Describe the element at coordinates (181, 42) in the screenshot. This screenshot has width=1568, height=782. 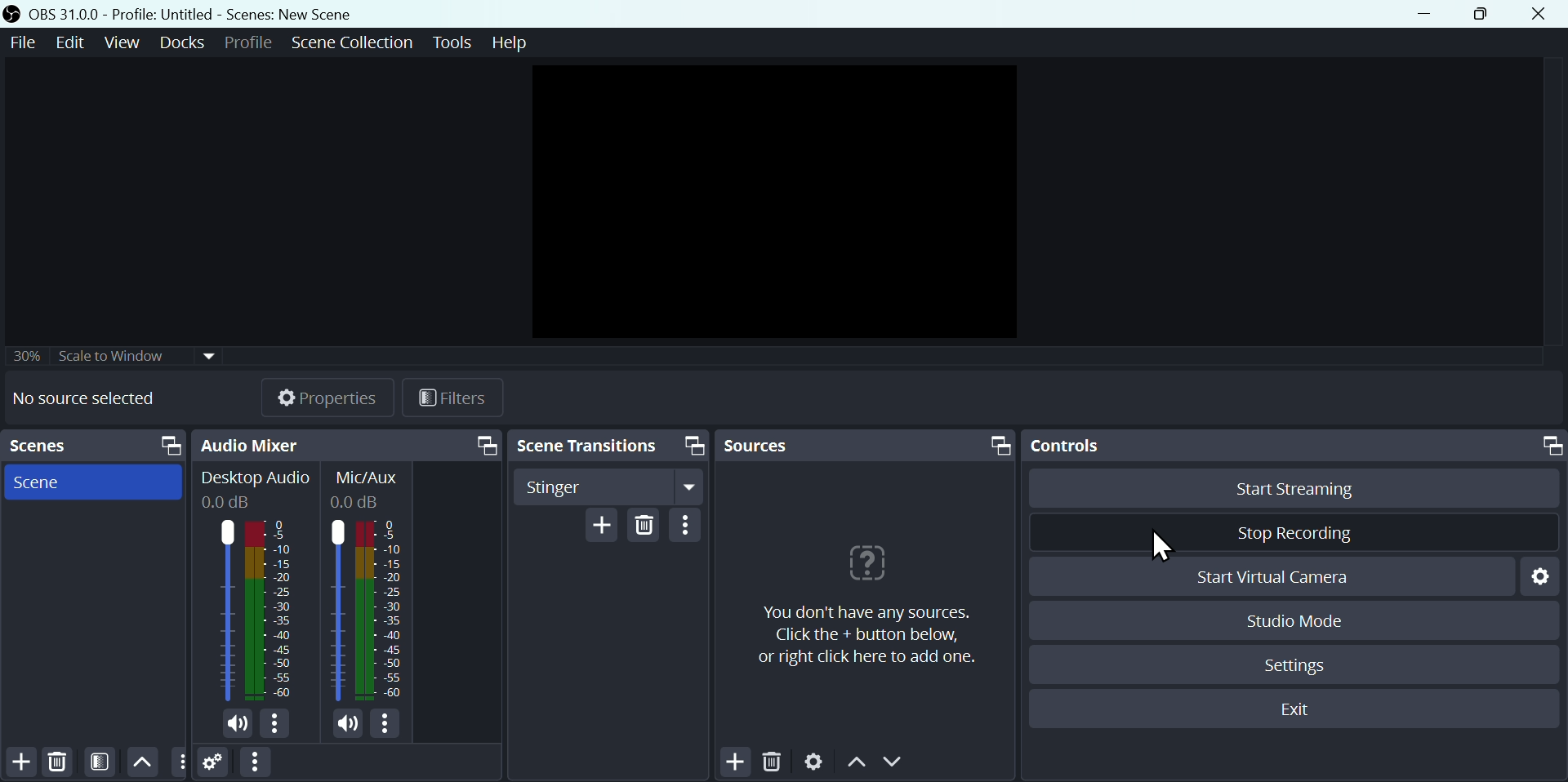
I see `Docks` at that location.